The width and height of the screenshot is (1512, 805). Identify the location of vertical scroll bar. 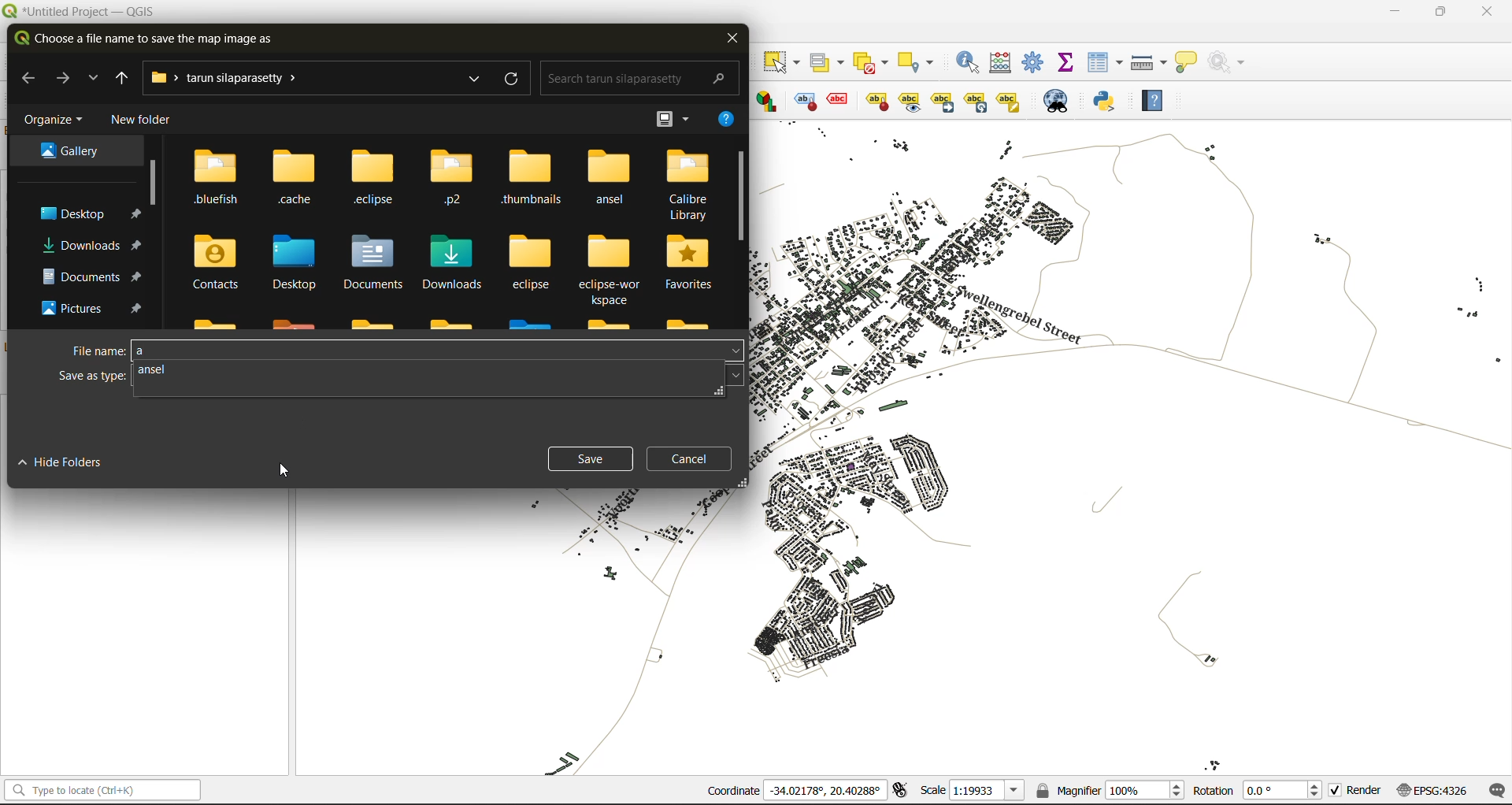
(740, 198).